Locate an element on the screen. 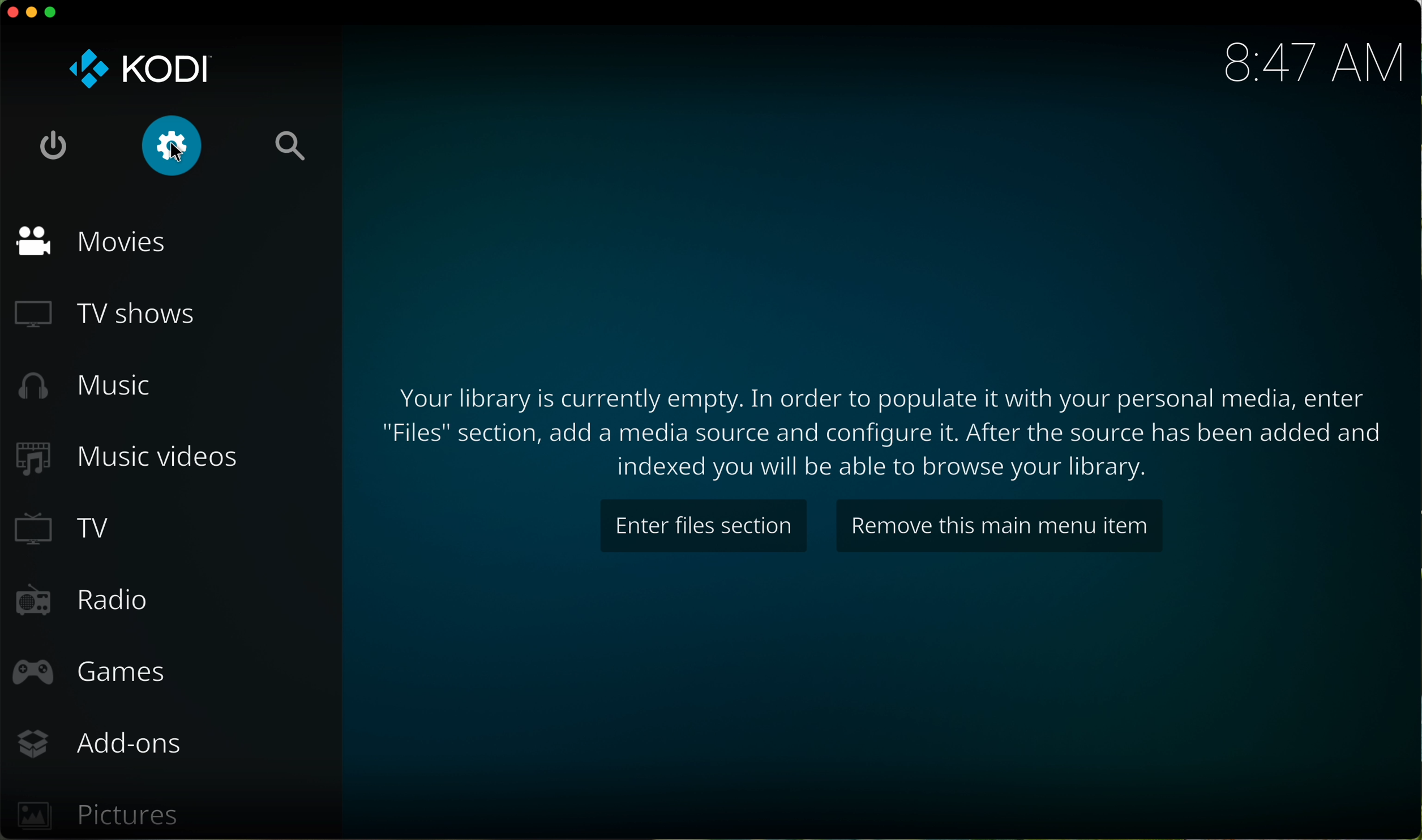 The height and width of the screenshot is (840, 1422). games is located at coordinates (92, 673).